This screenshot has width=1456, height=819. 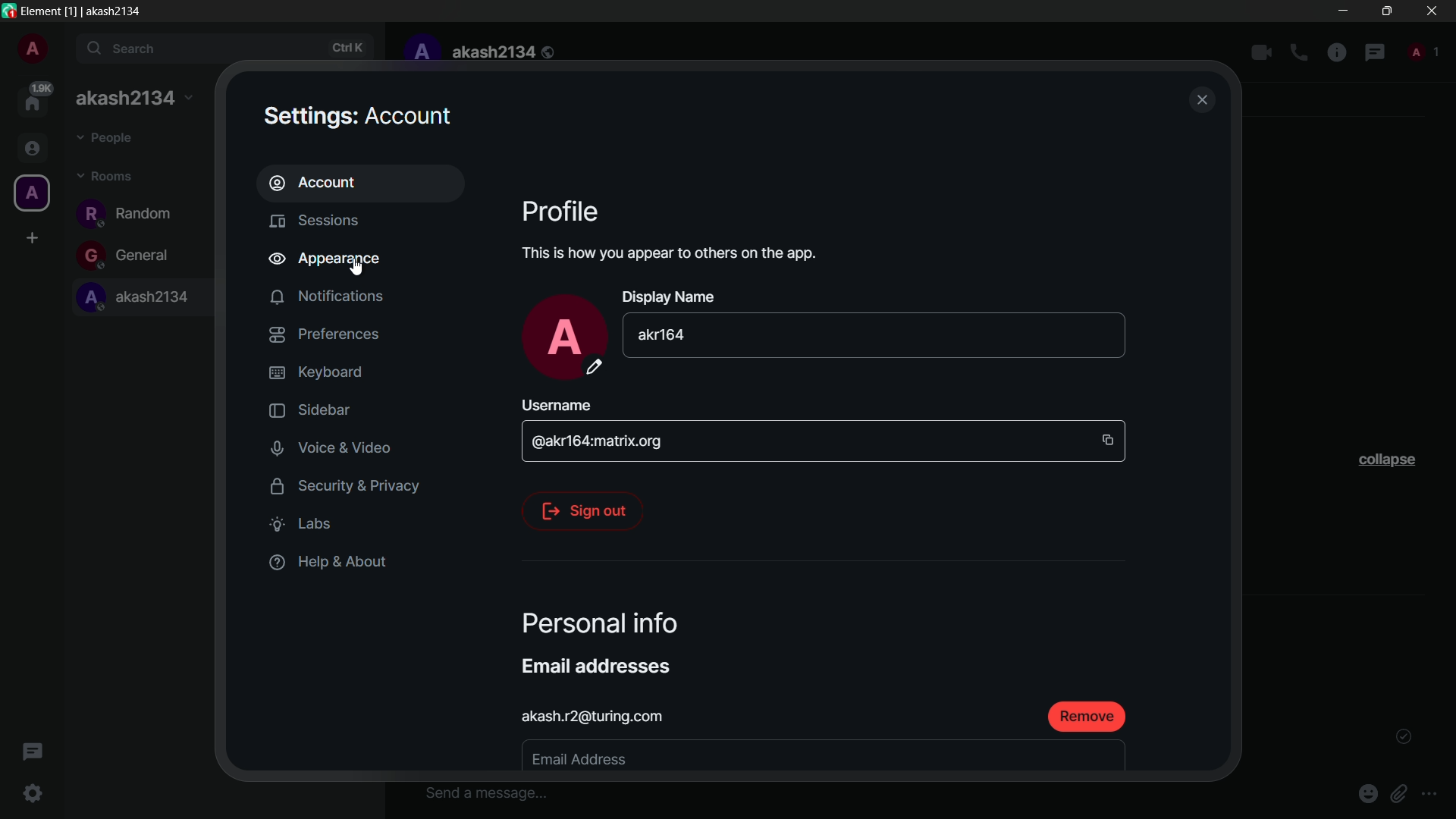 What do you see at coordinates (326, 562) in the screenshot?
I see `help and about` at bounding box center [326, 562].